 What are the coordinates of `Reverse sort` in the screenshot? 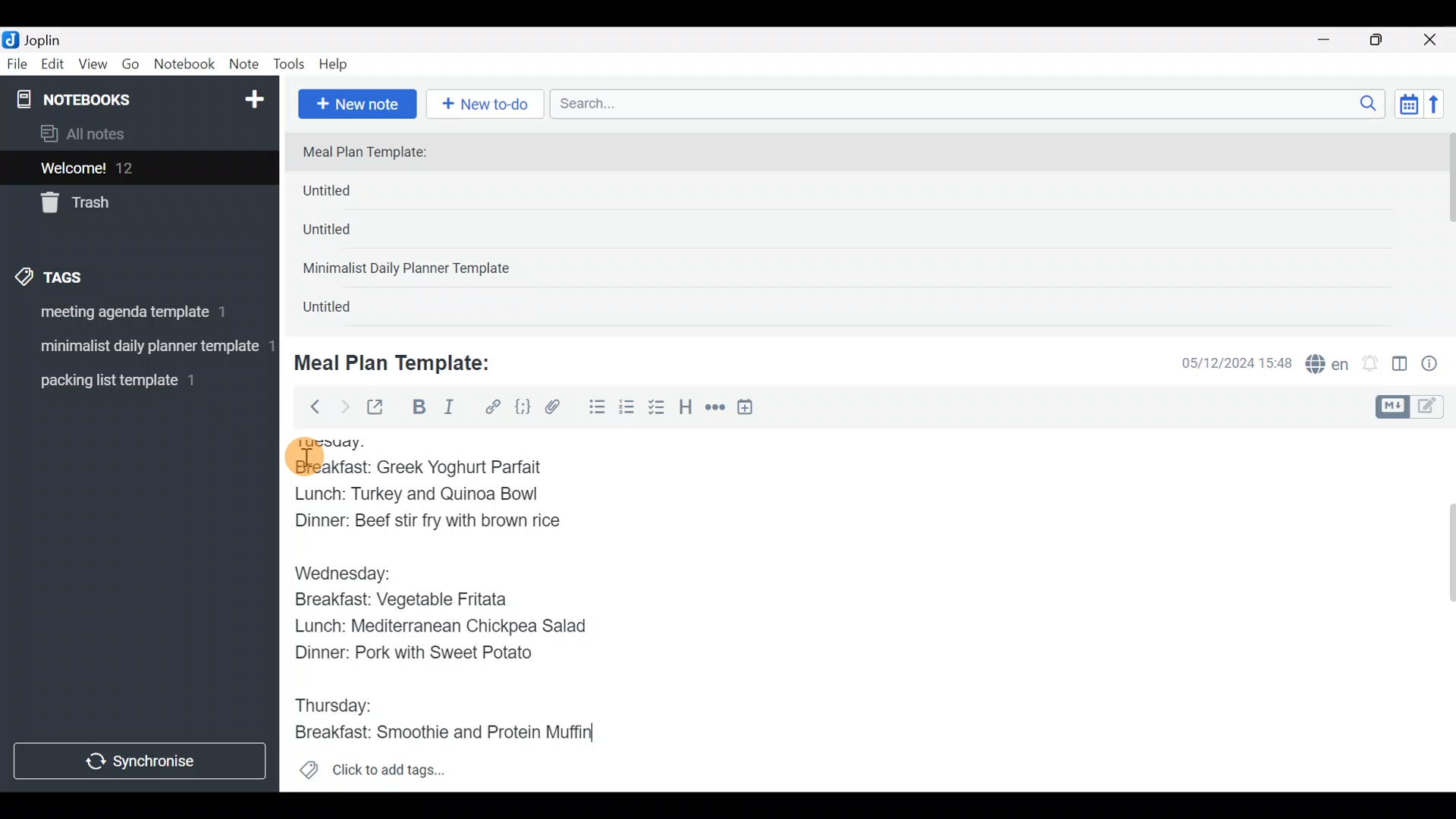 It's located at (1442, 108).